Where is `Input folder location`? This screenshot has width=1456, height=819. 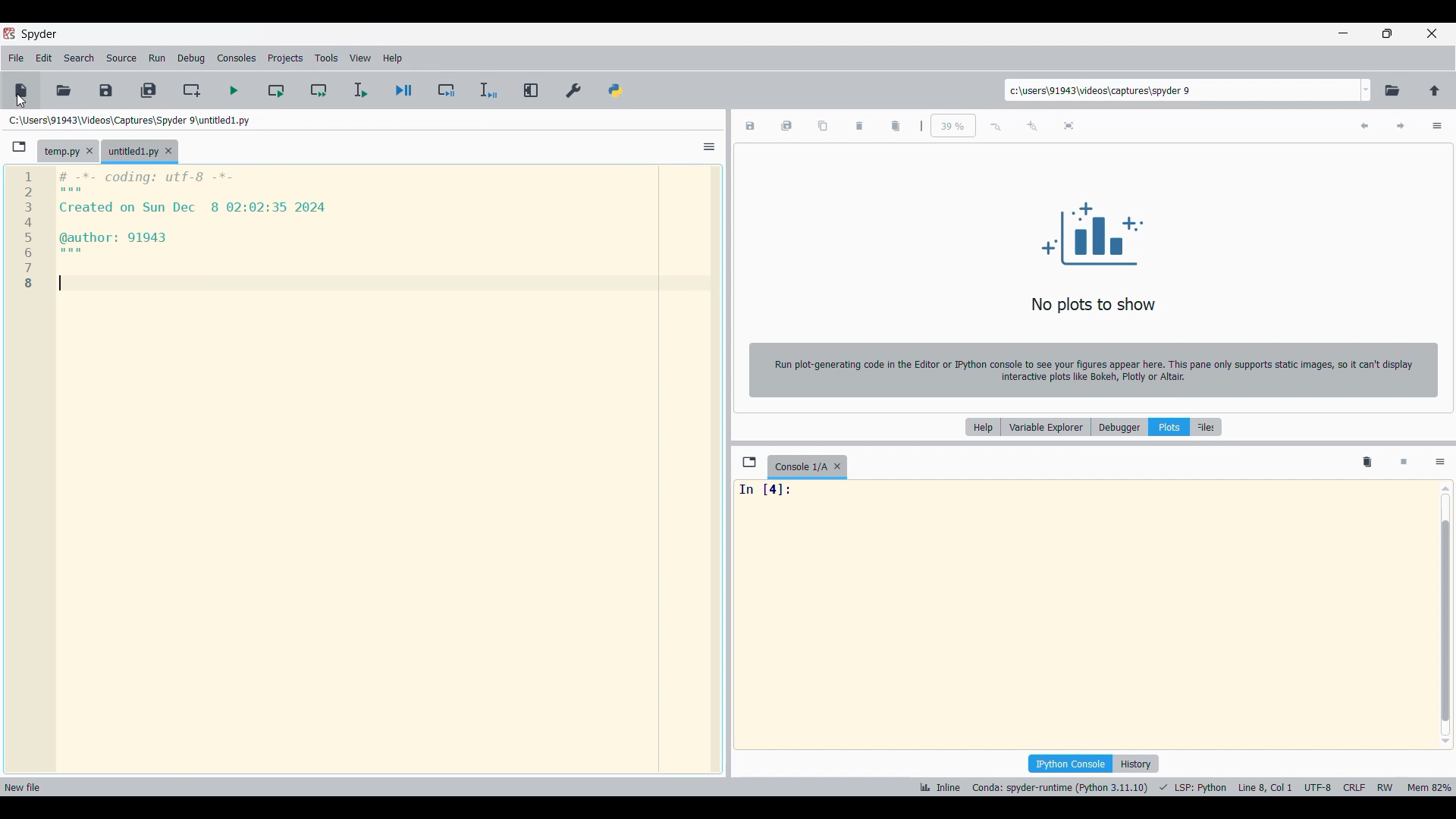 Input folder location is located at coordinates (1181, 89).